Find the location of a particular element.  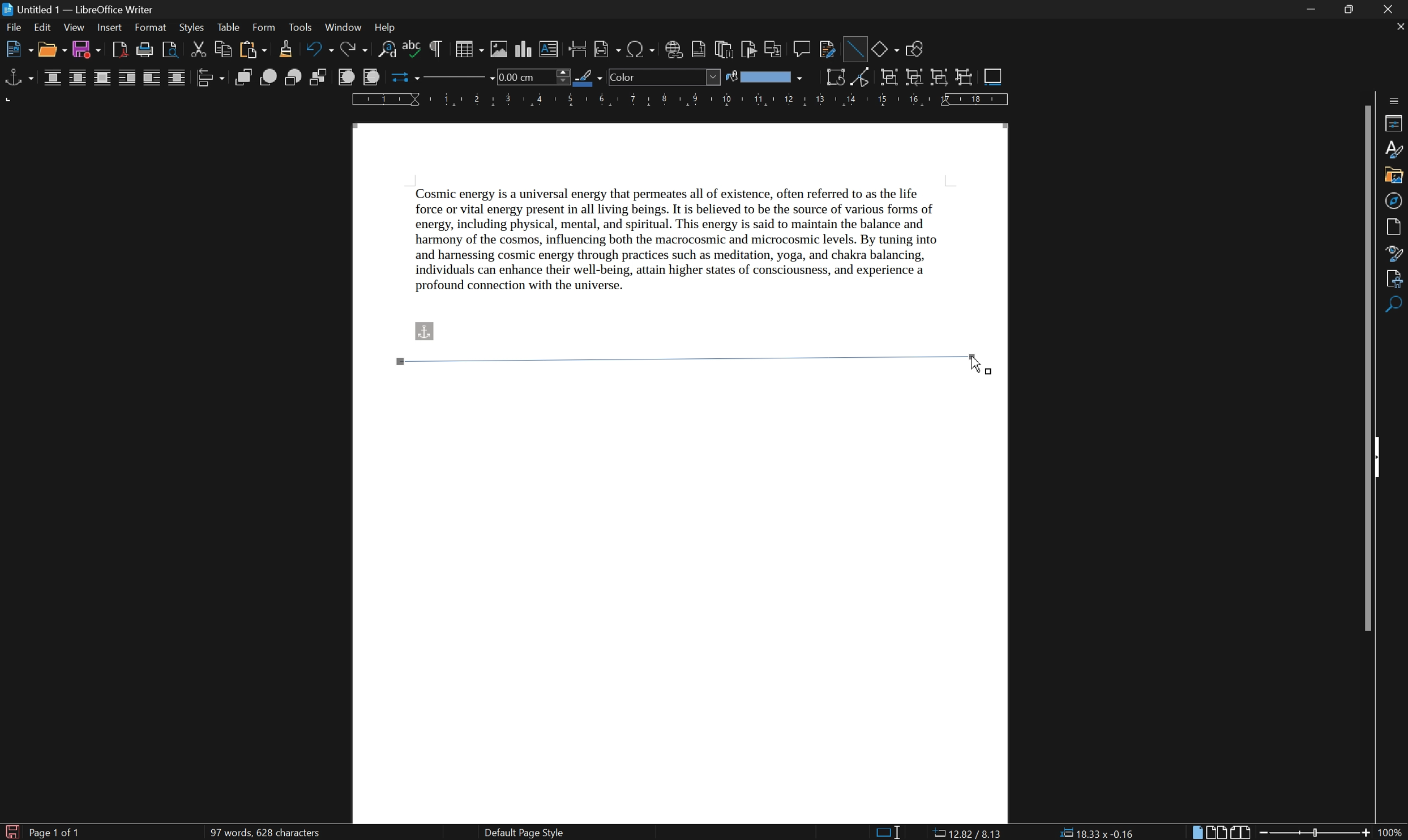

manage changes is located at coordinates (1397, 279).